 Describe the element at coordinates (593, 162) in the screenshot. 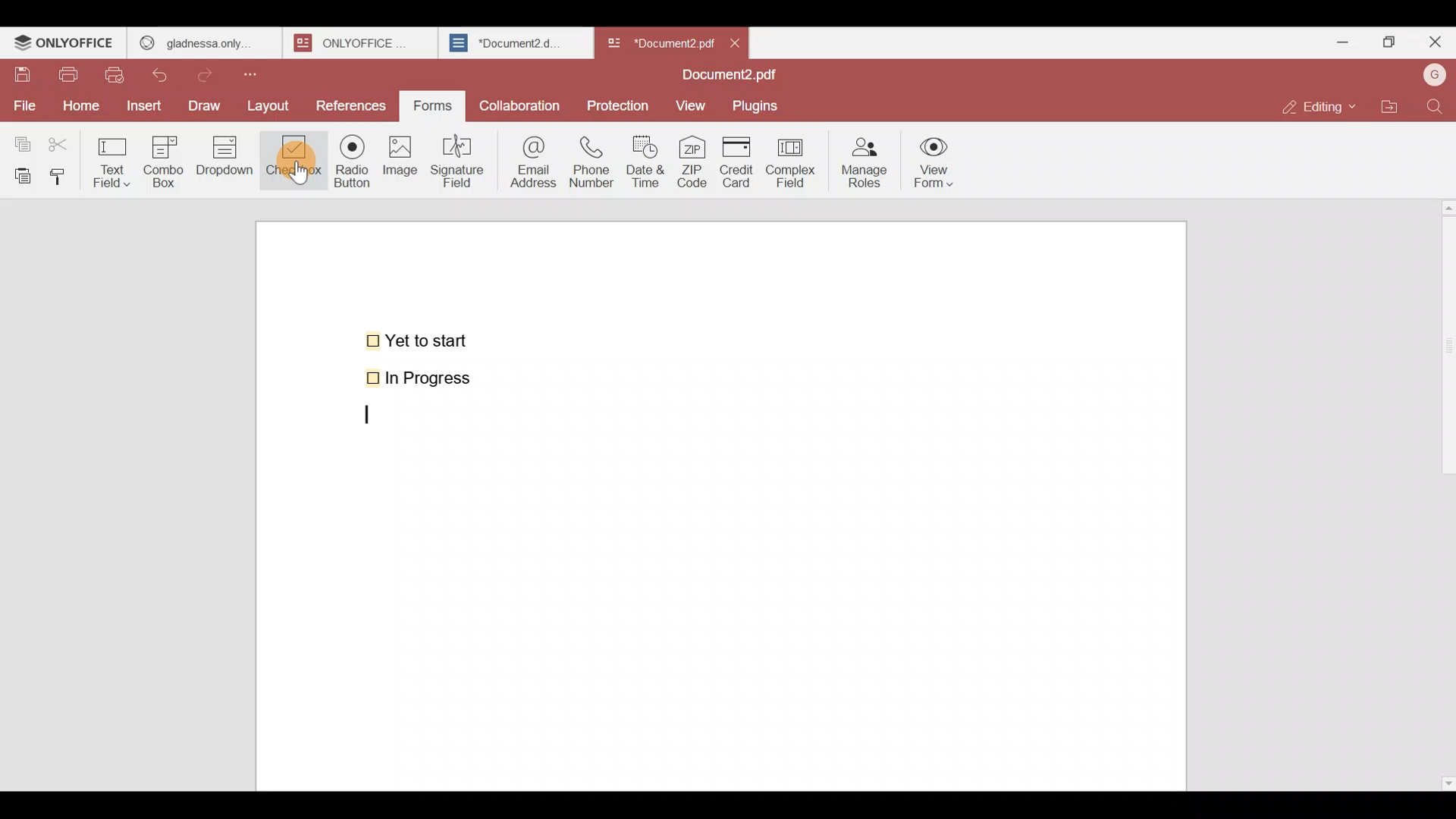

I see `Phone number` at that location.